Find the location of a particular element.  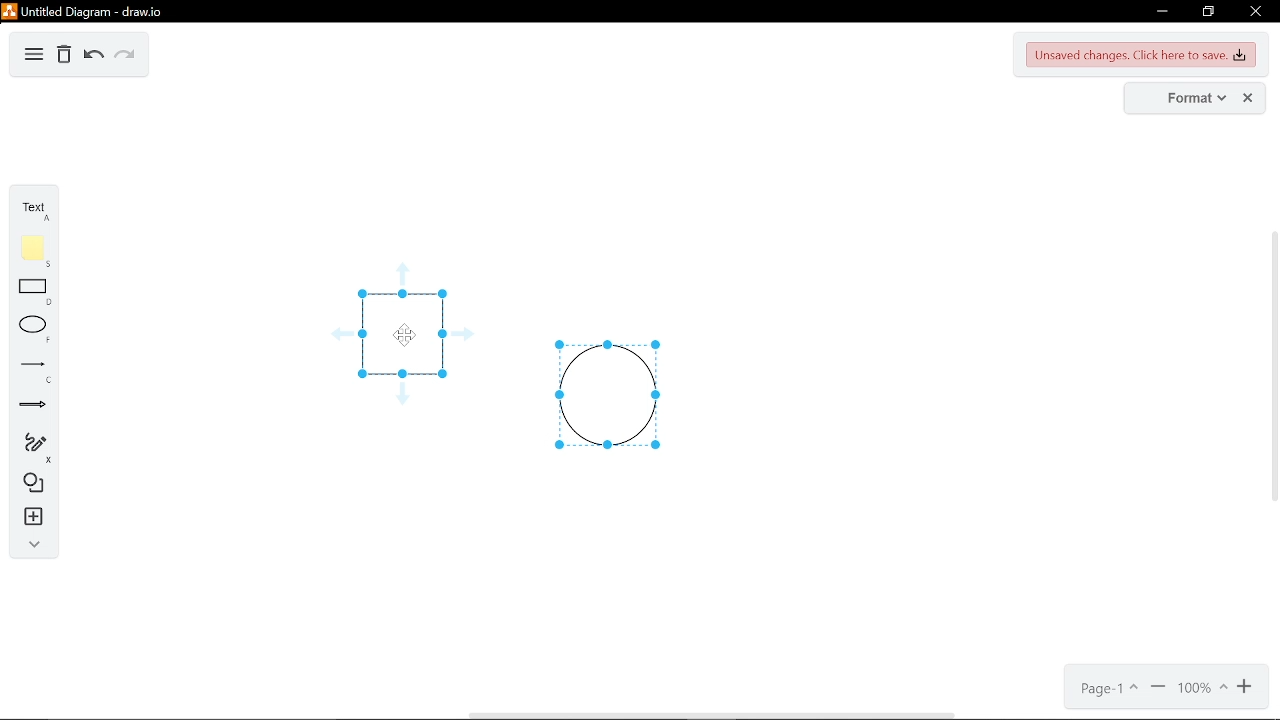

format is located at coordinates (1191, 99).